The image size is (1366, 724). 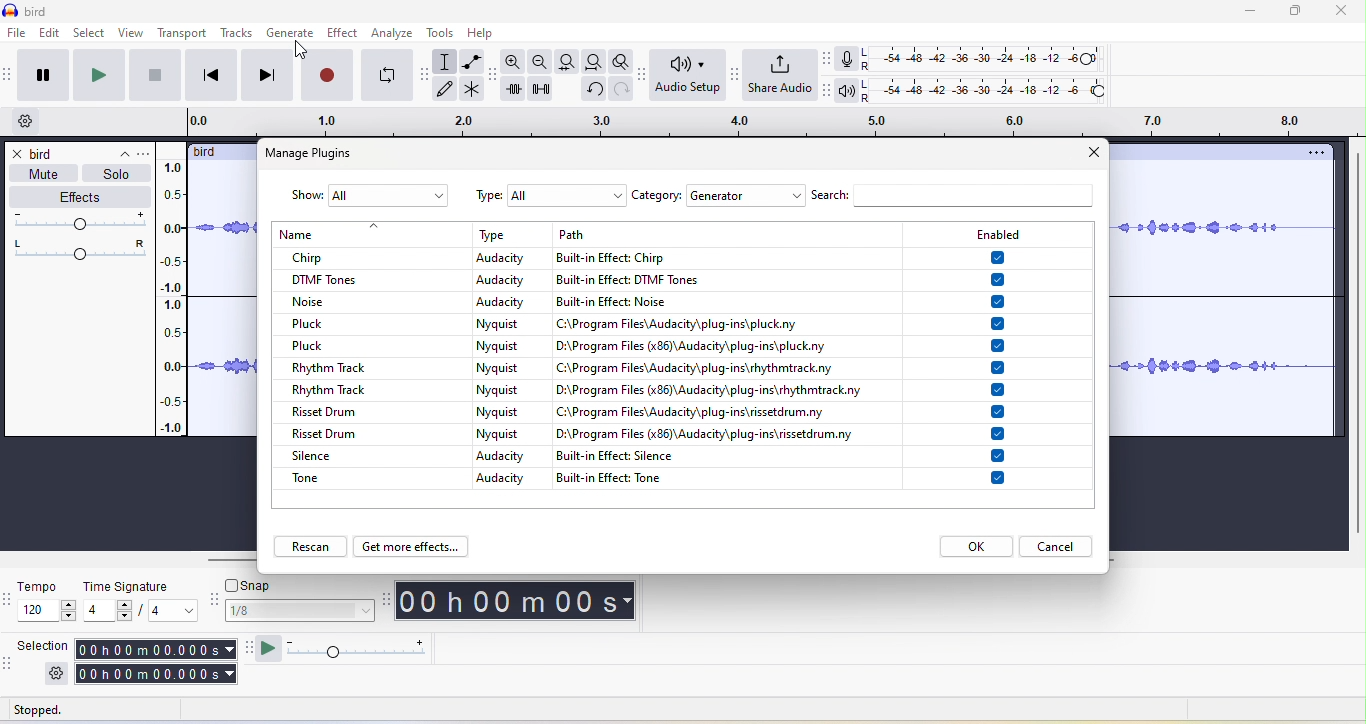 What do you see at coordinates (219, 560) in the screenshot?
I see `horizontal scroll bar` at bounding box center [219, 560].